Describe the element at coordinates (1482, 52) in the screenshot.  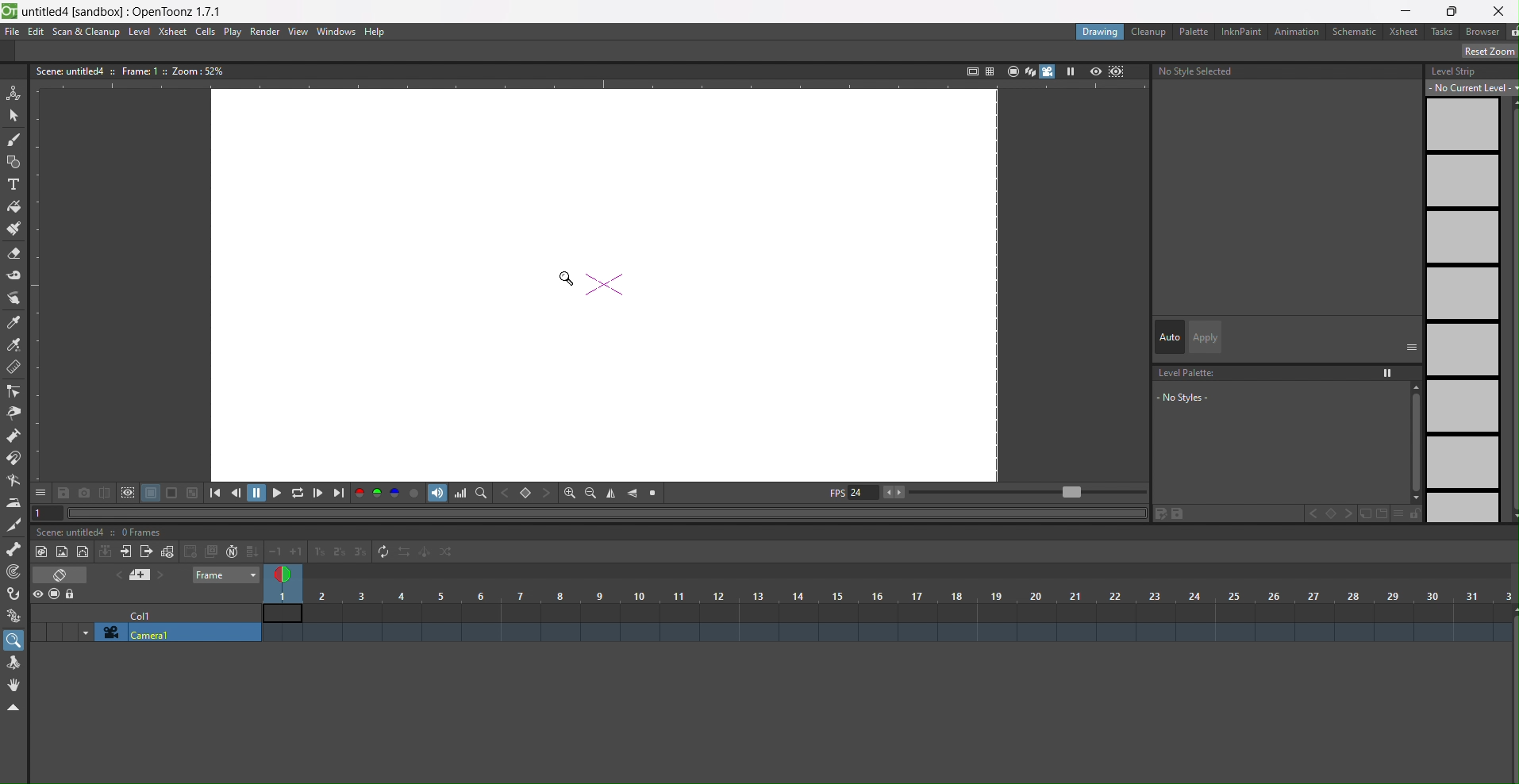
I see `reset position` at that location.